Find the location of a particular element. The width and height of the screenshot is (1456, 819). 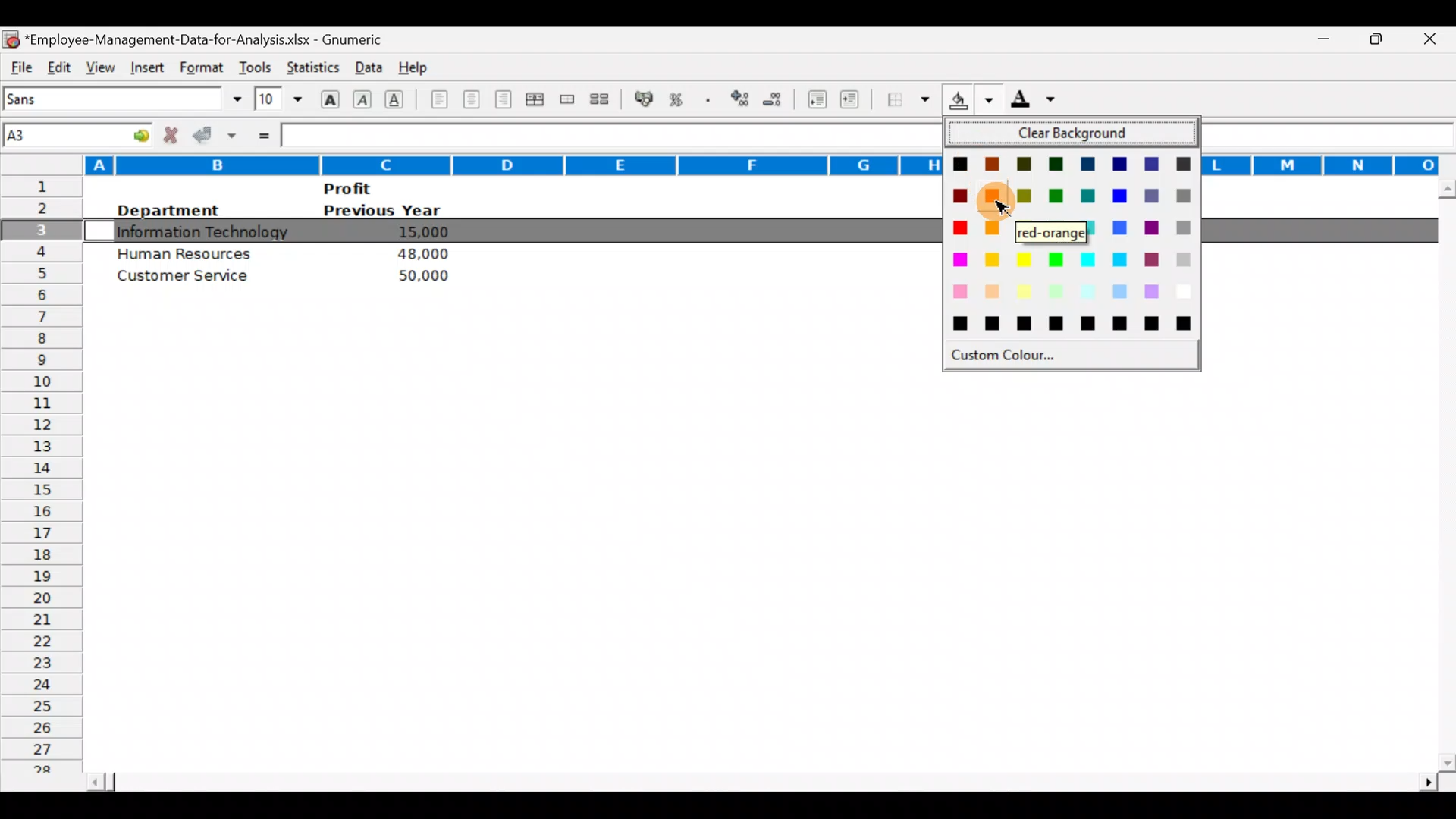

Align left is located at coordinates (438, 99).